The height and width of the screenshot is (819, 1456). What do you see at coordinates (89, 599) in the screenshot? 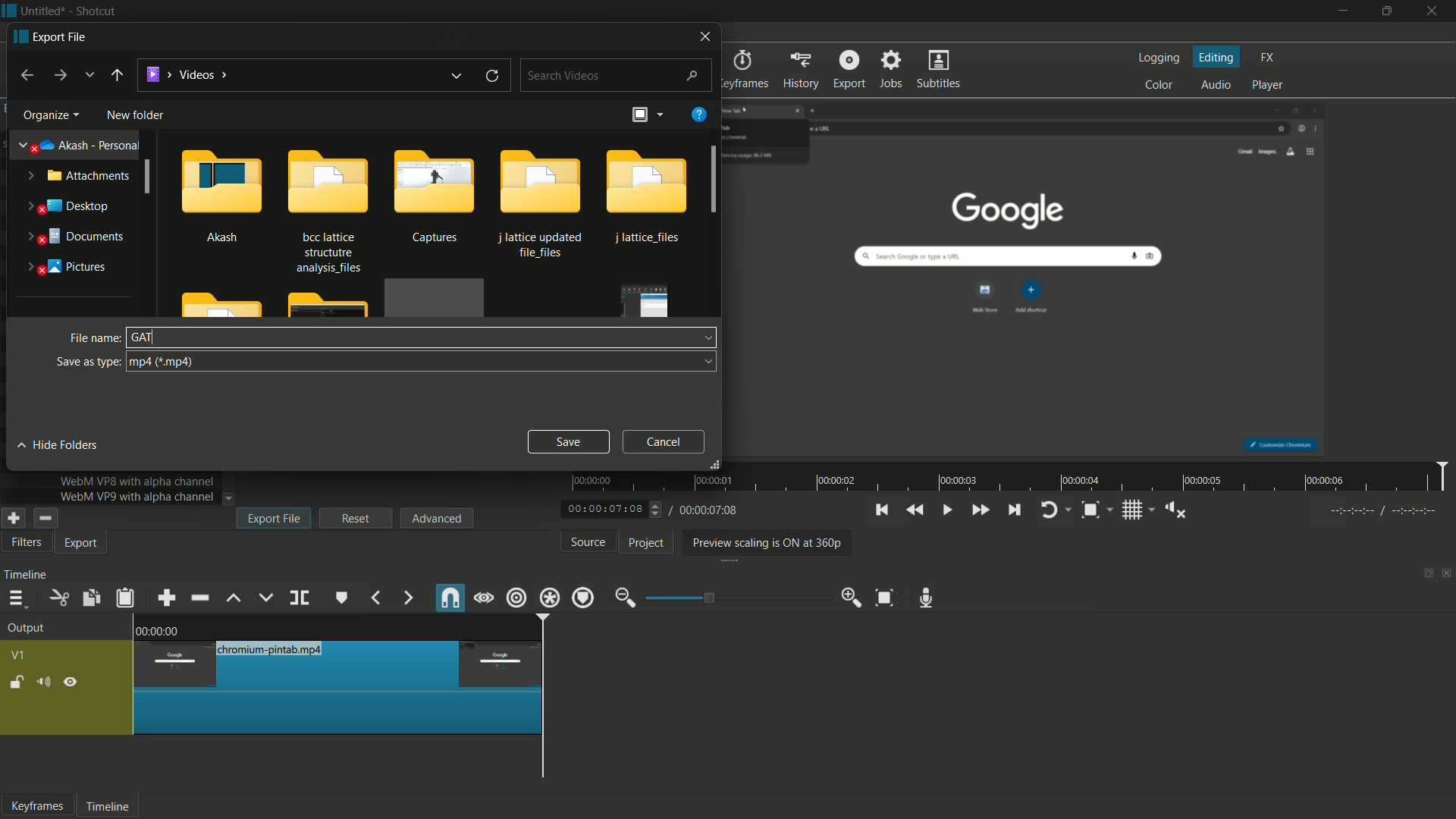
I see `copy checked filters` at bounding box center [89, 599].